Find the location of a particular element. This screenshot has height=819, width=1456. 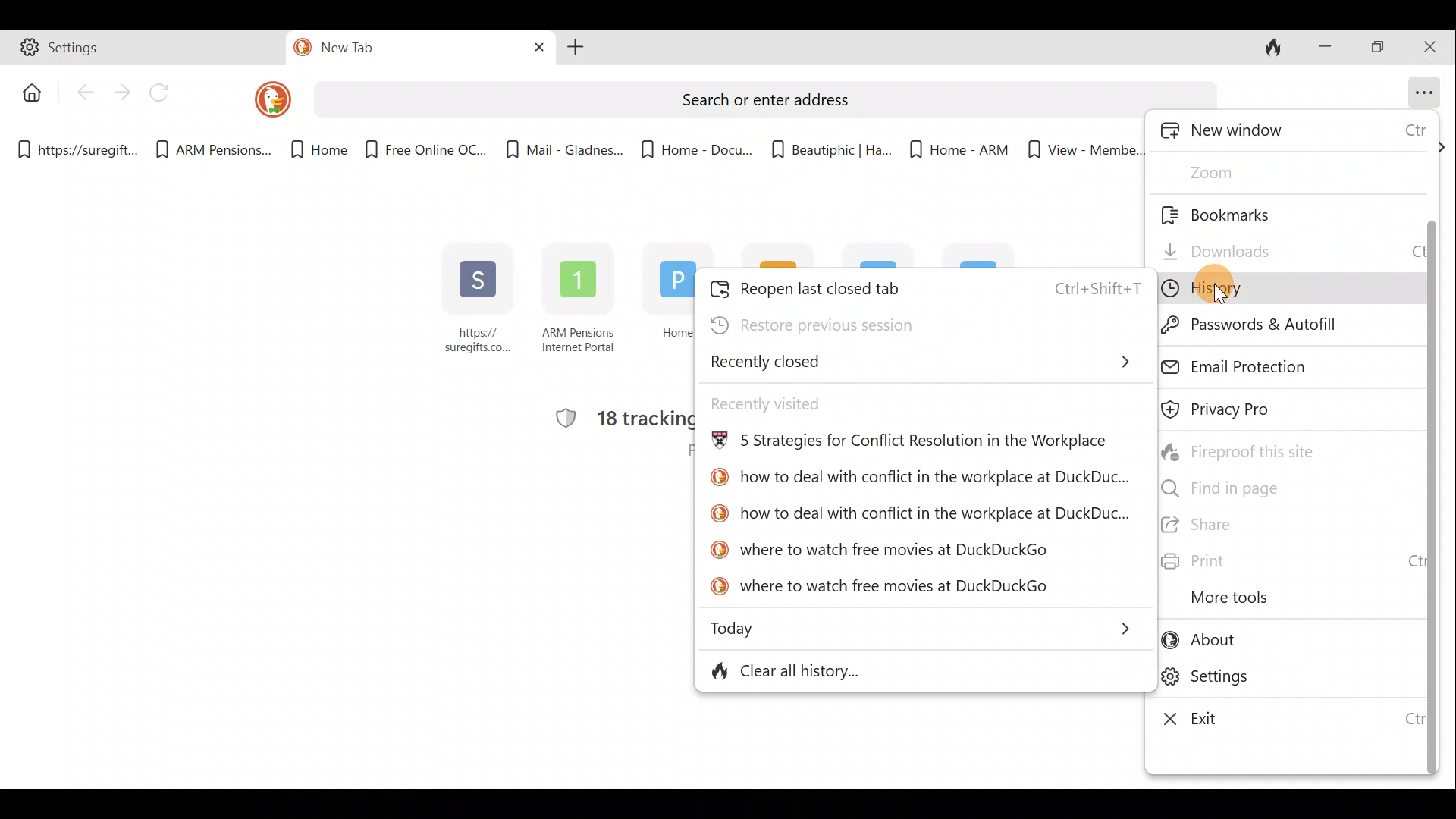

About is located at coordinates (1282, 643).